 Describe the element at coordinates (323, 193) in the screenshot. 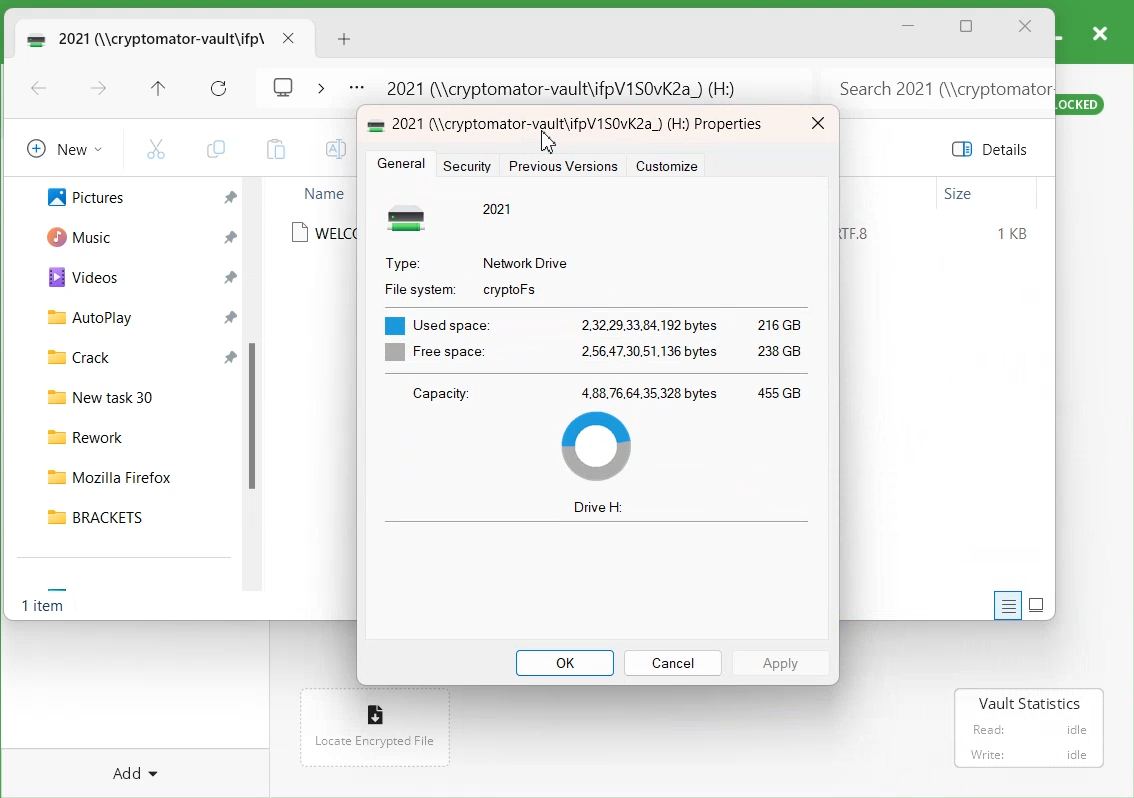

I see `Name` at that location.